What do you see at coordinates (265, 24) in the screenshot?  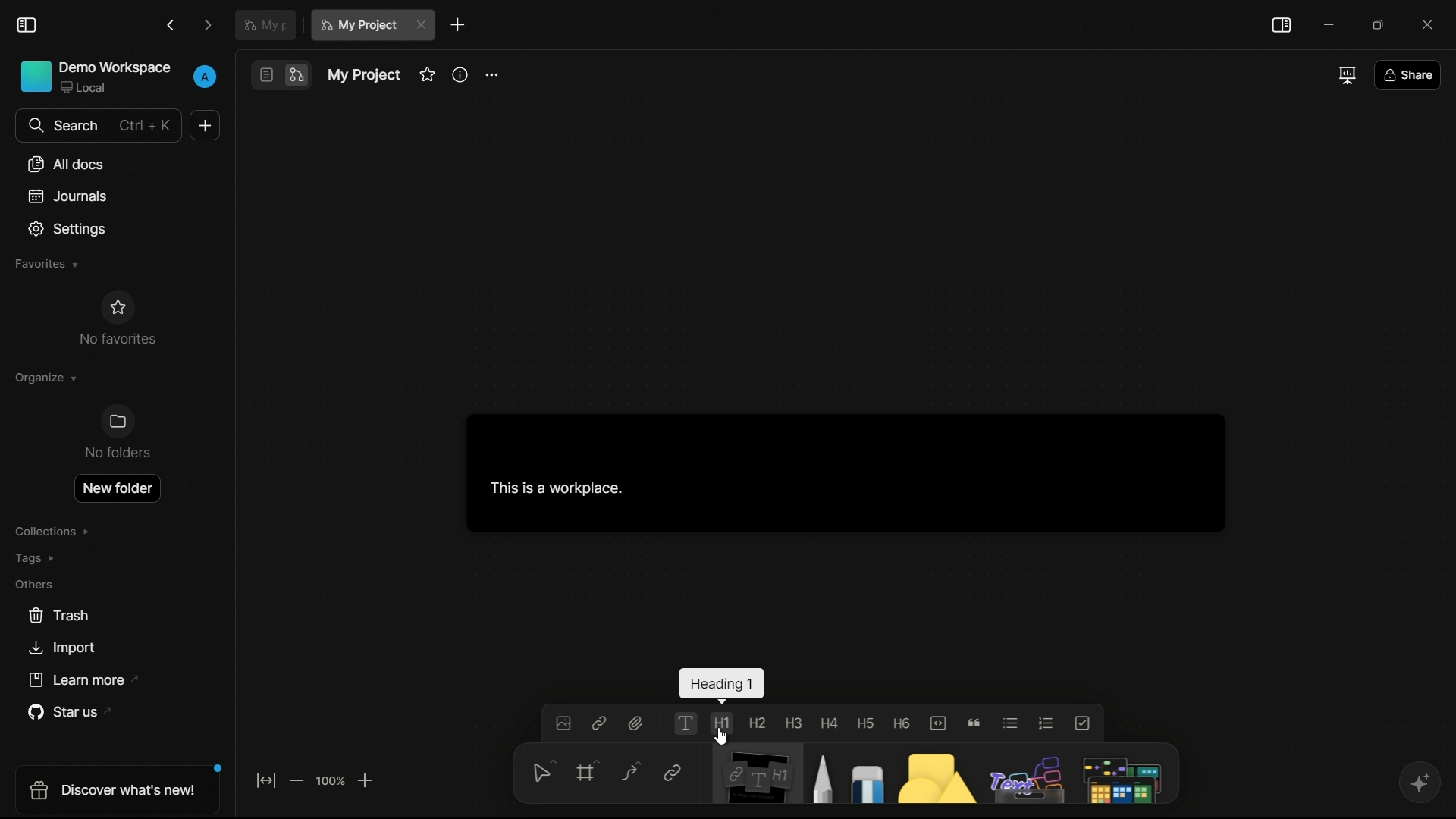 I see `document tab` at bounding box center [265, 24].